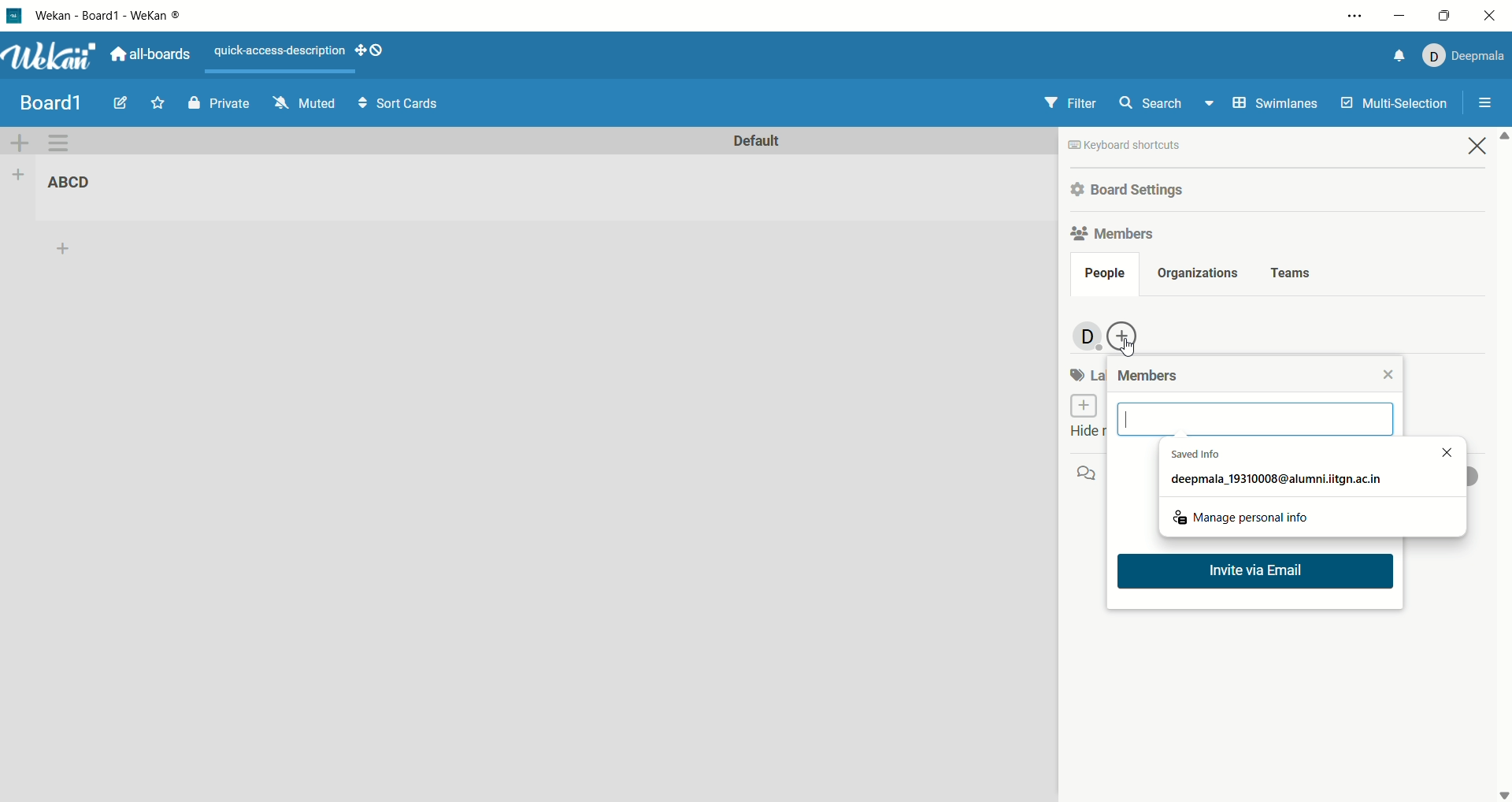 The image size is (1512, 802). I want to click on show-desktop-drag-handles, so click(380, 49).